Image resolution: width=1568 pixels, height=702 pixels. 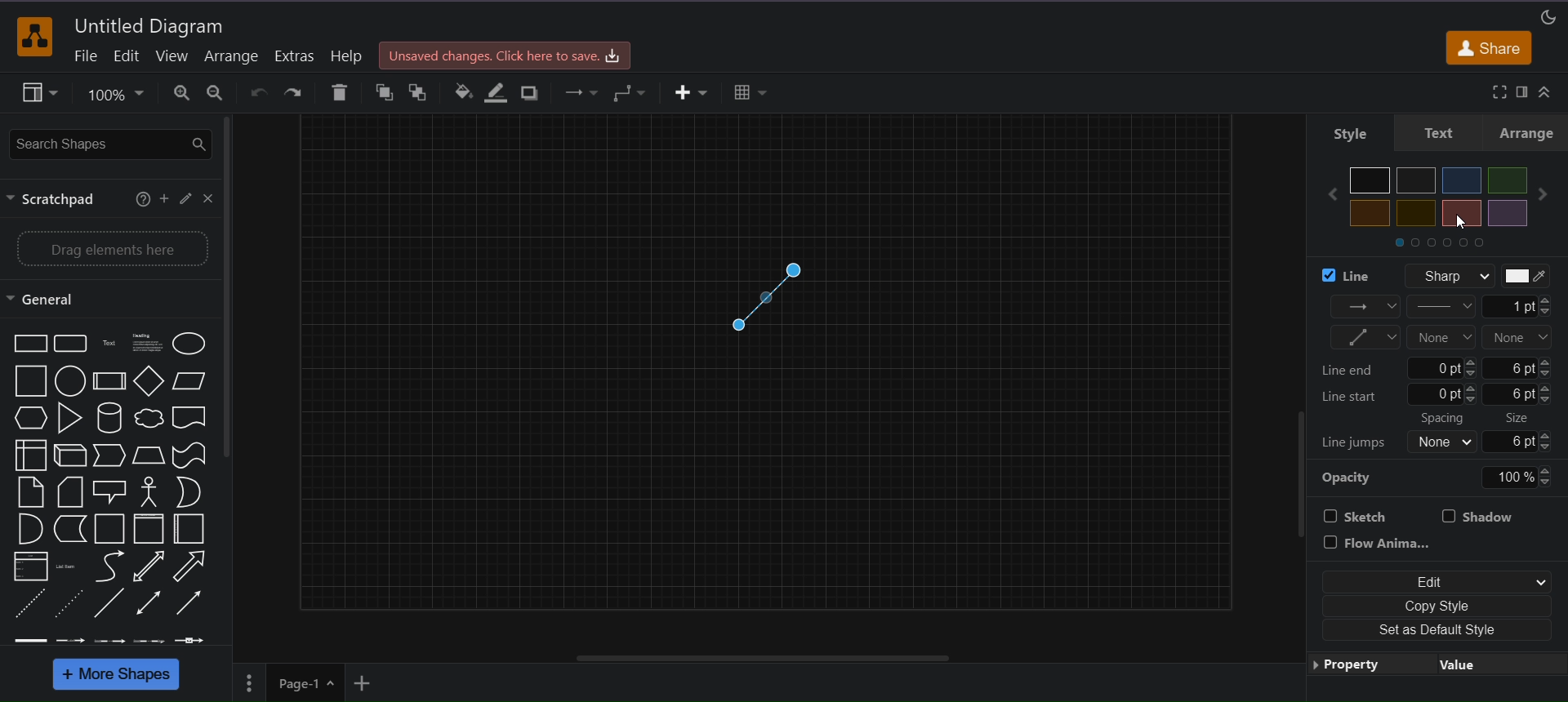 I want to click on edit, so click(x=186, y=197).